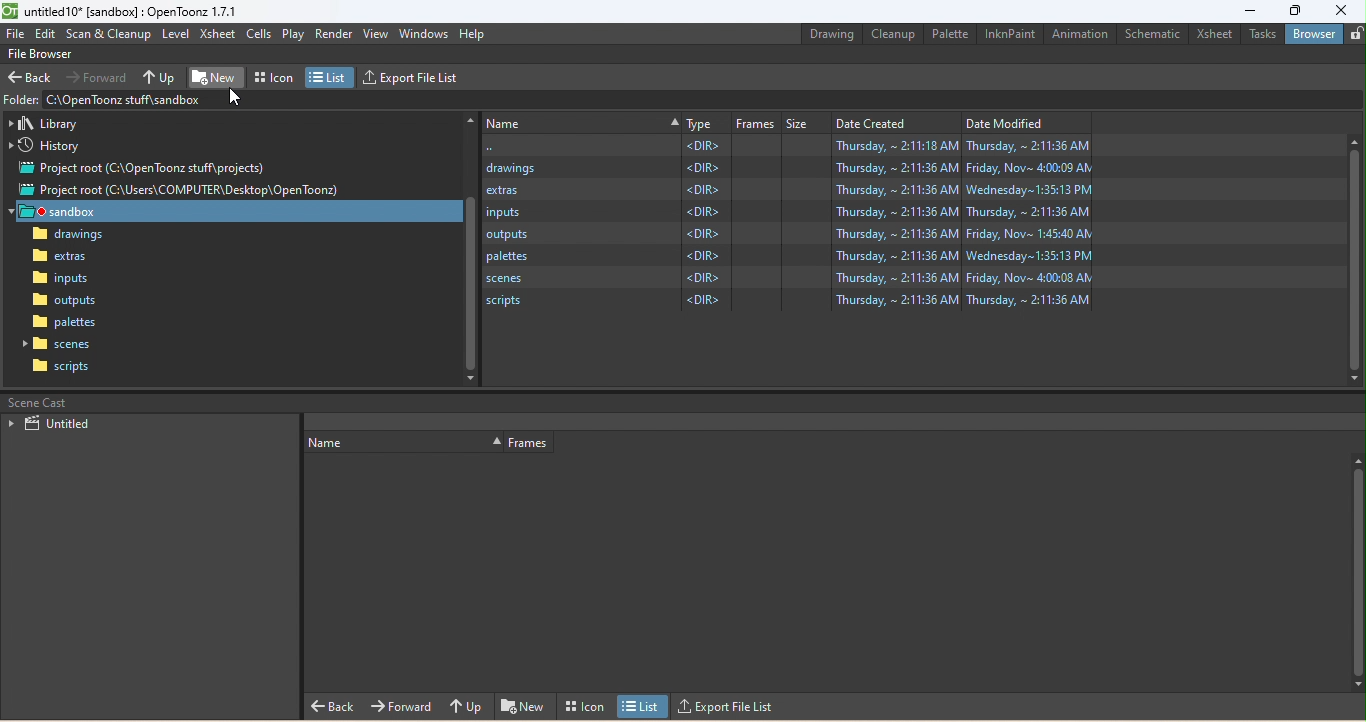  Describe the element at coordinates (1355, 33) in the screenshot. I see `lock rooms tab` at that location.